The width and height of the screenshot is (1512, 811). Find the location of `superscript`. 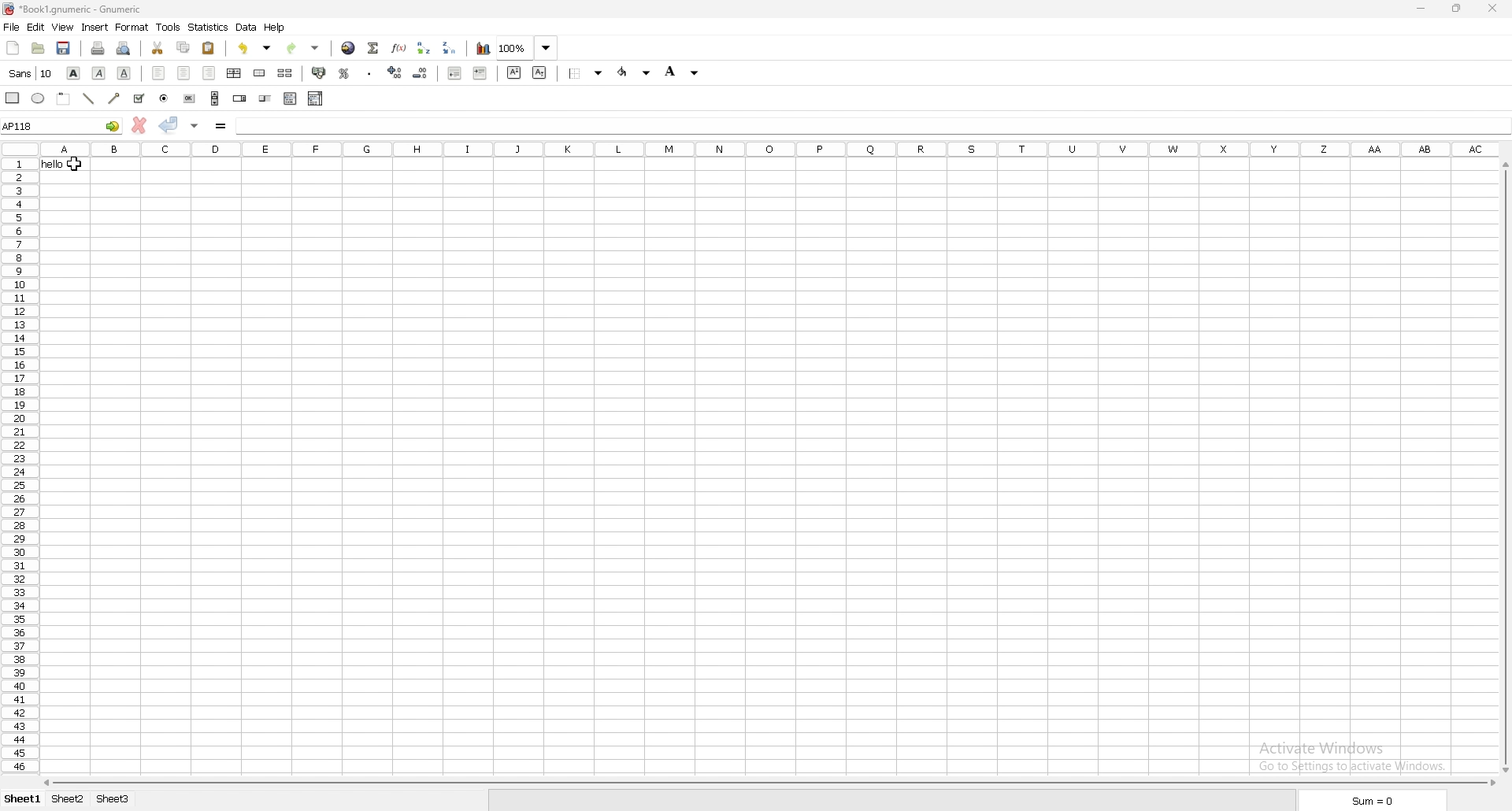

superscript is located at coordinates (515, 72).